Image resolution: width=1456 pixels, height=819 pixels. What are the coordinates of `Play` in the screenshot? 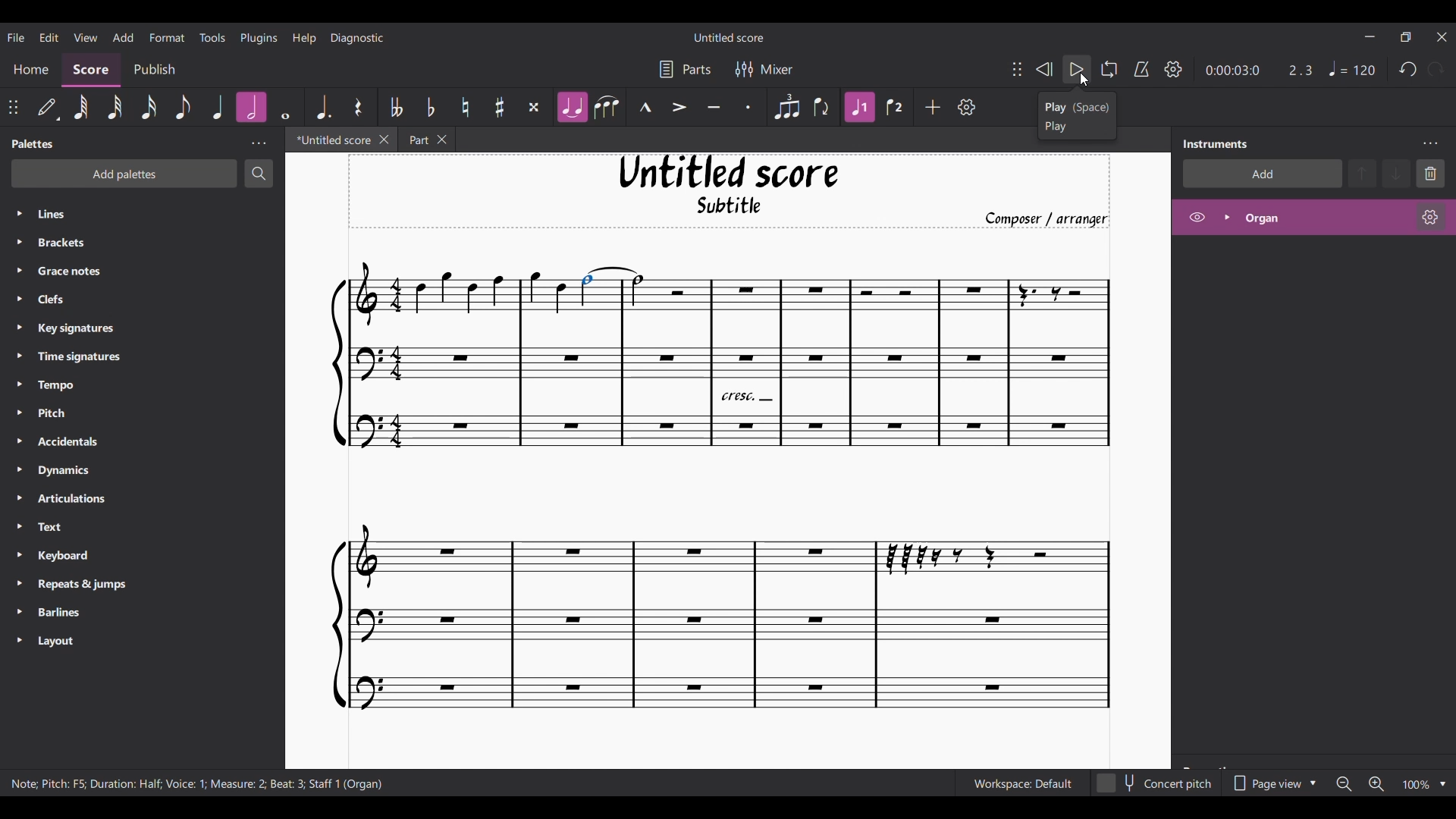 It's located at (1077, 70).